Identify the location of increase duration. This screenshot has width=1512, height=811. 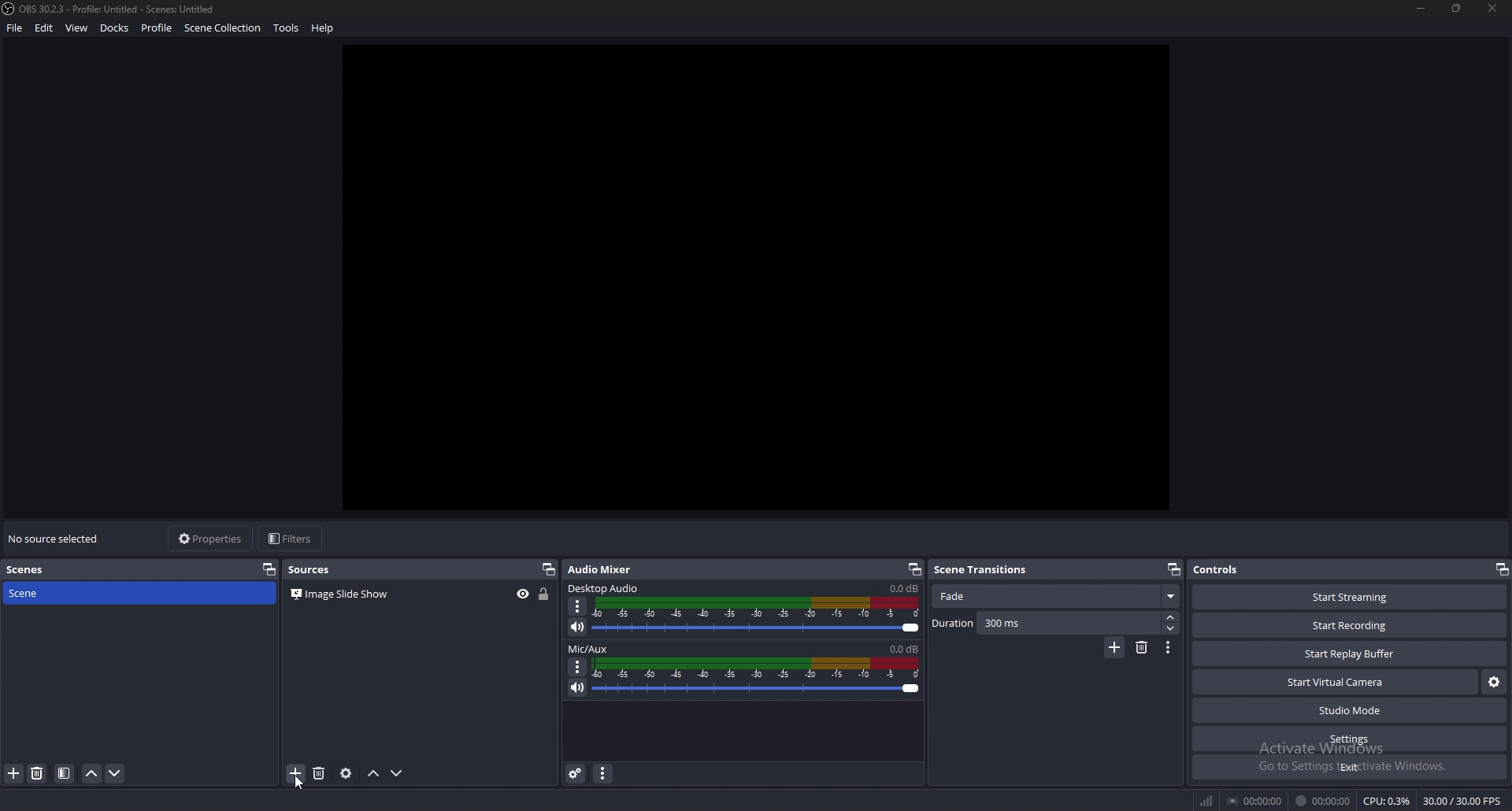
(1171, 617).